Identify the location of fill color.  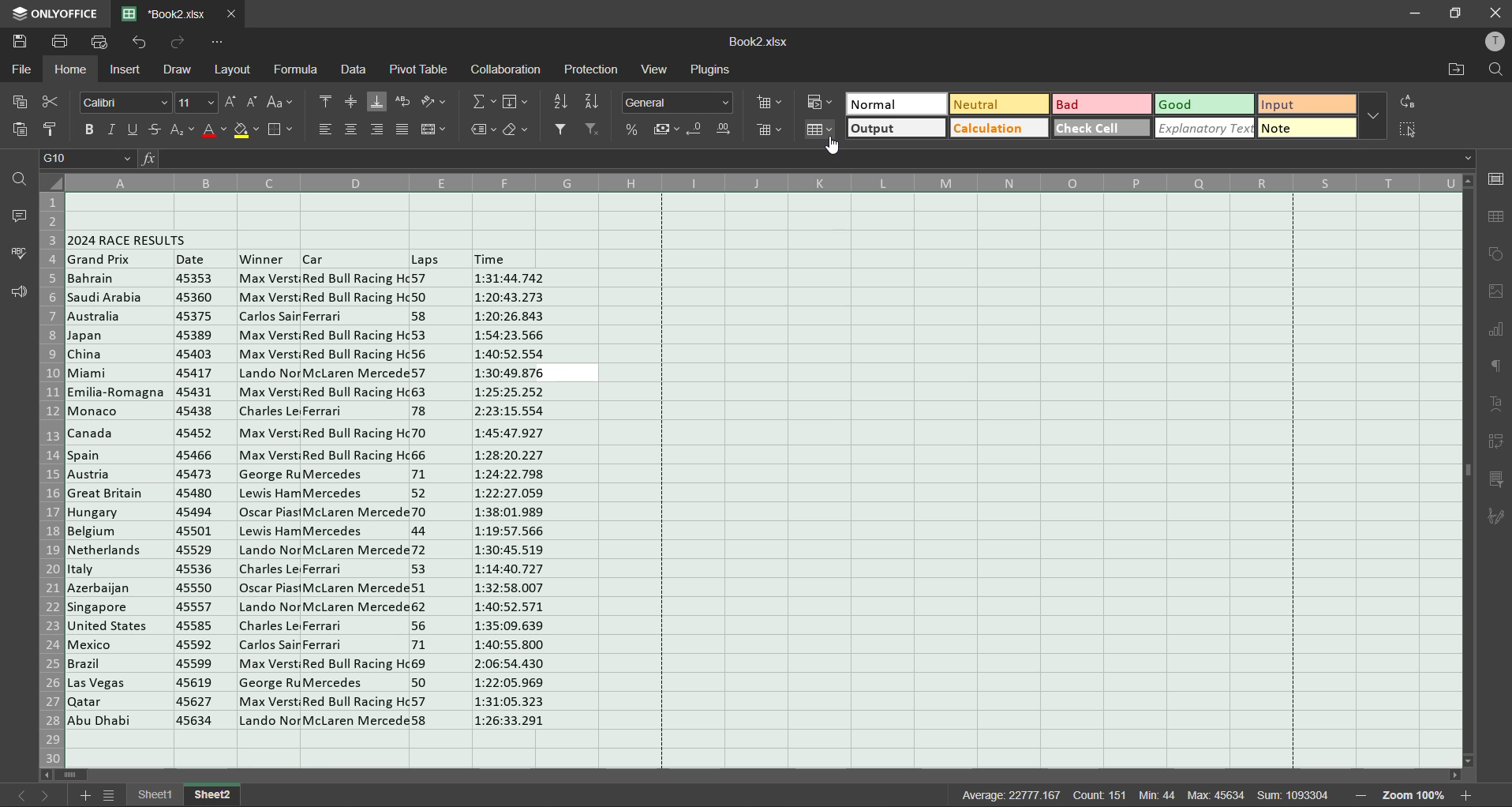
(246, 133).